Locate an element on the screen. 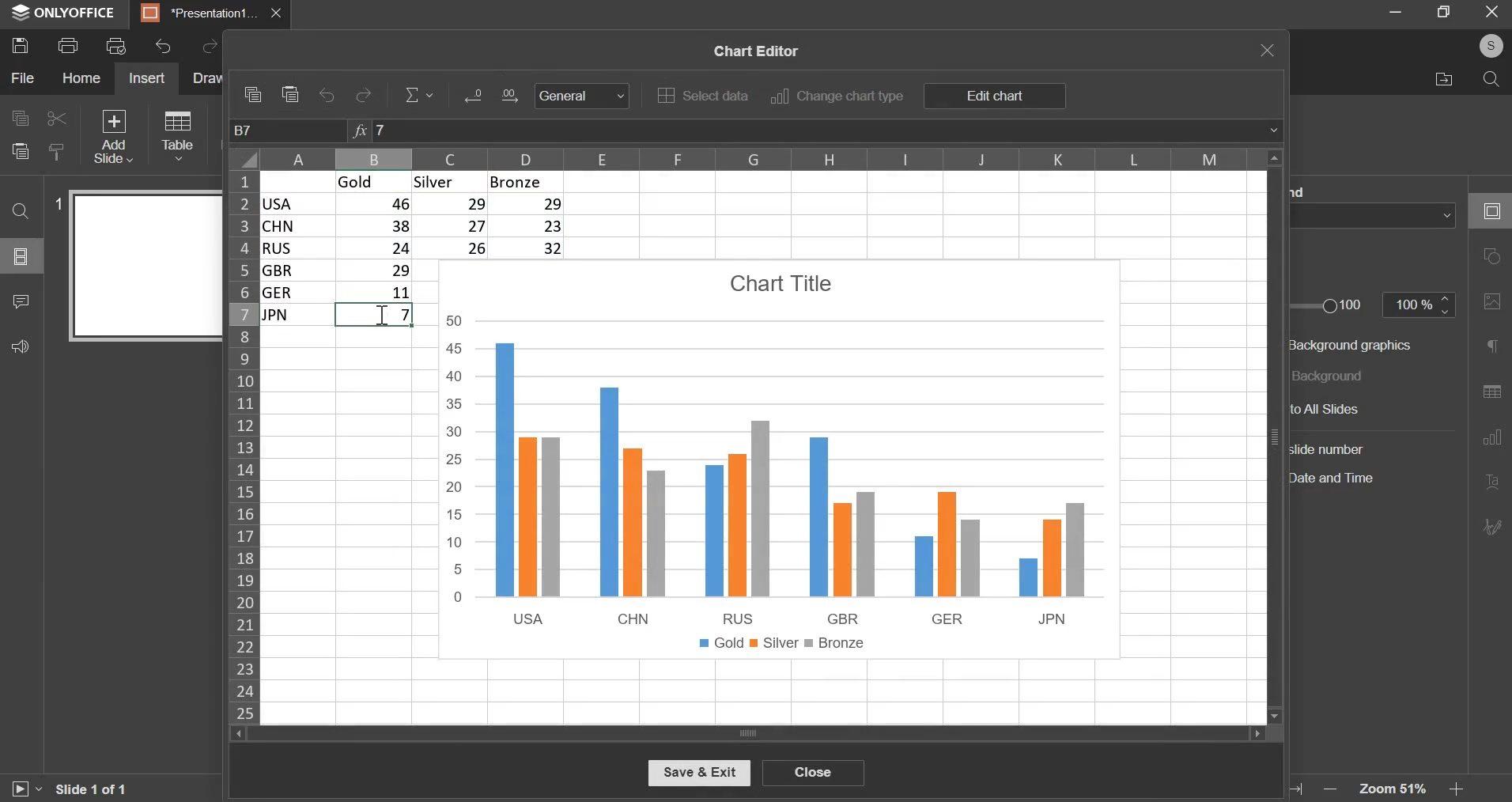  ger is located at coordinates (295, 294).